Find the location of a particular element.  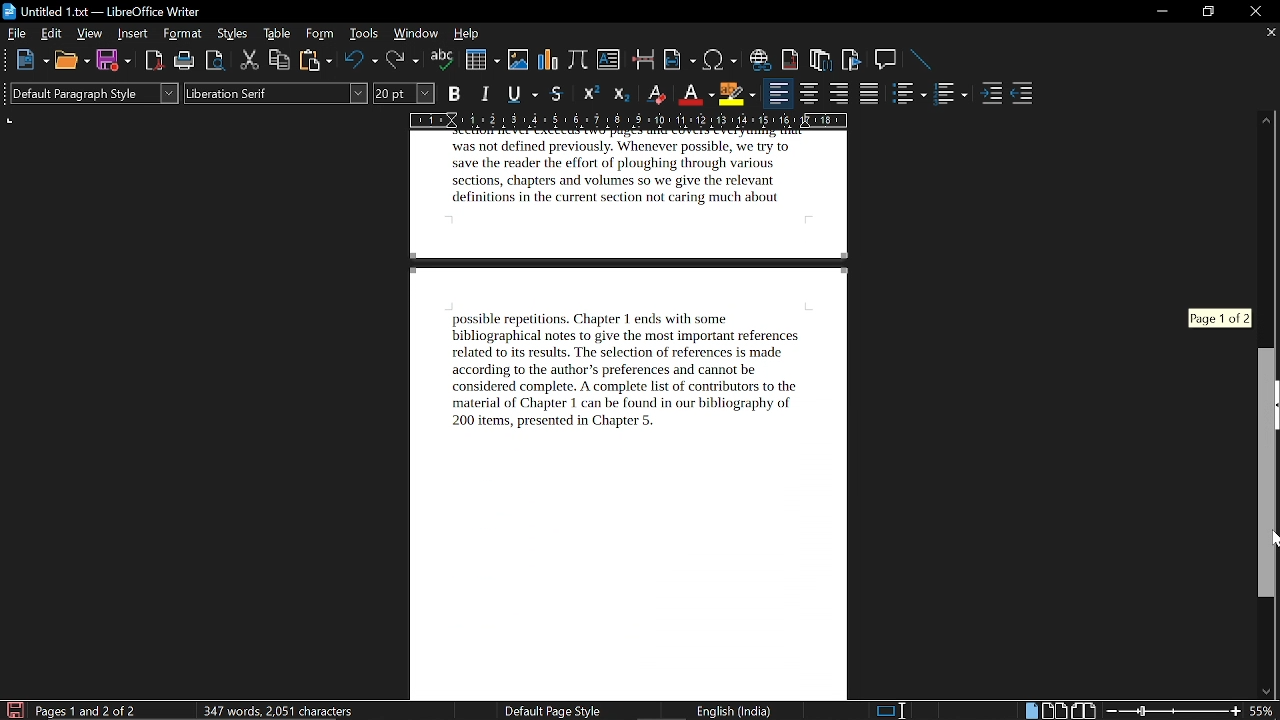

italic is located at coordinates (488, 92).